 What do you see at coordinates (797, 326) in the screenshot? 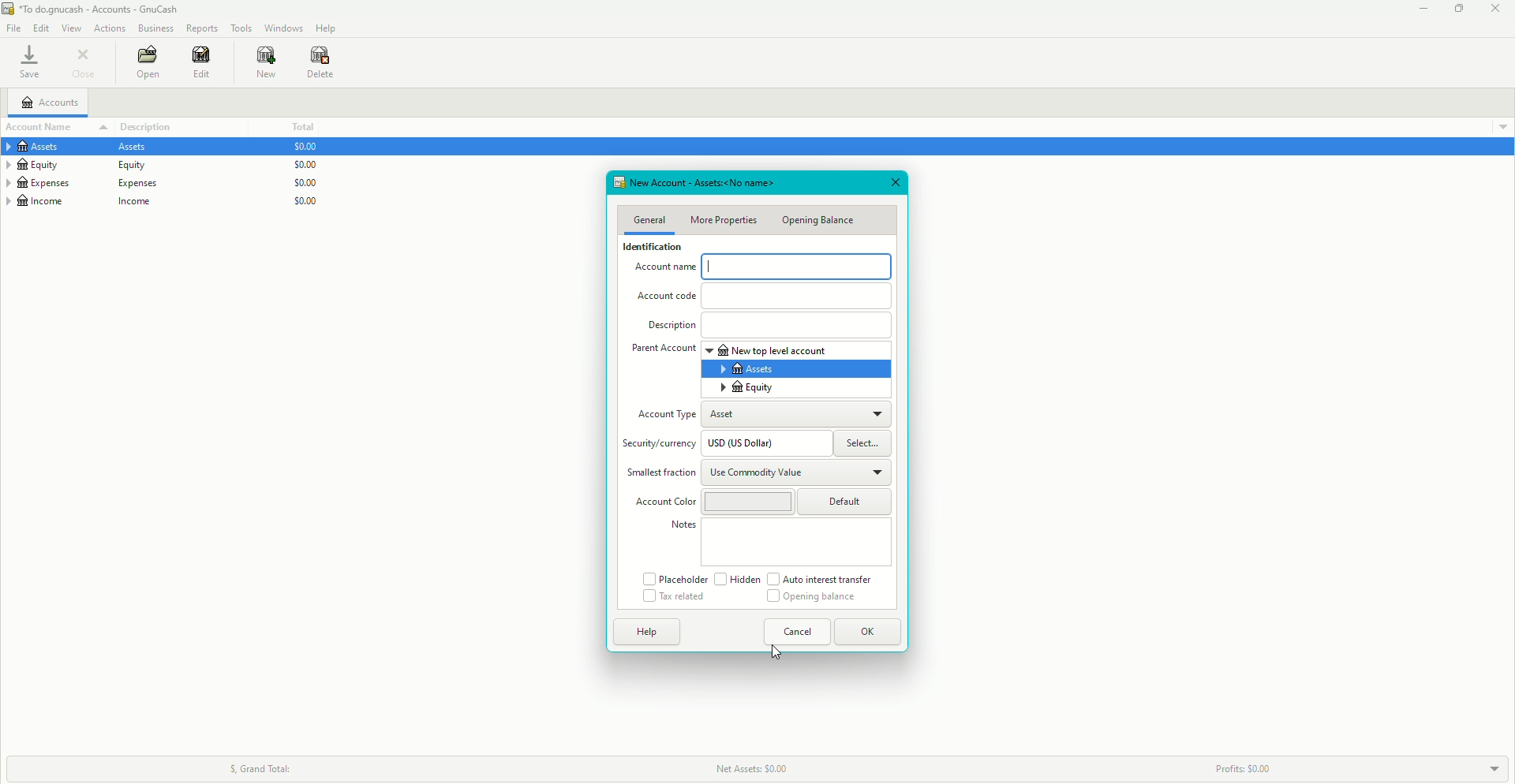
I see `Typing box for description` at bounding box center [797, 326].